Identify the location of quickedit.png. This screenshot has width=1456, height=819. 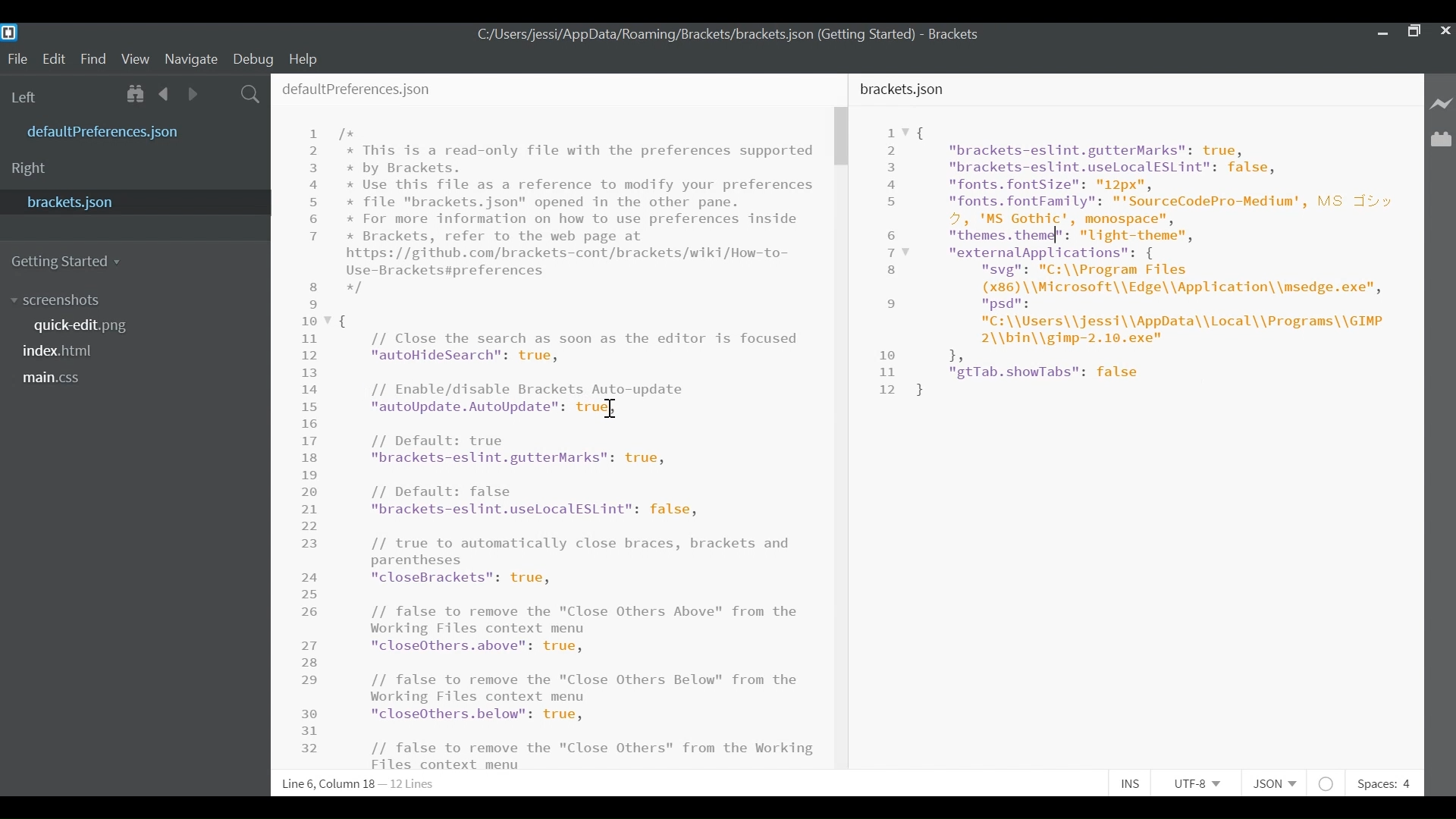
(89, 325).